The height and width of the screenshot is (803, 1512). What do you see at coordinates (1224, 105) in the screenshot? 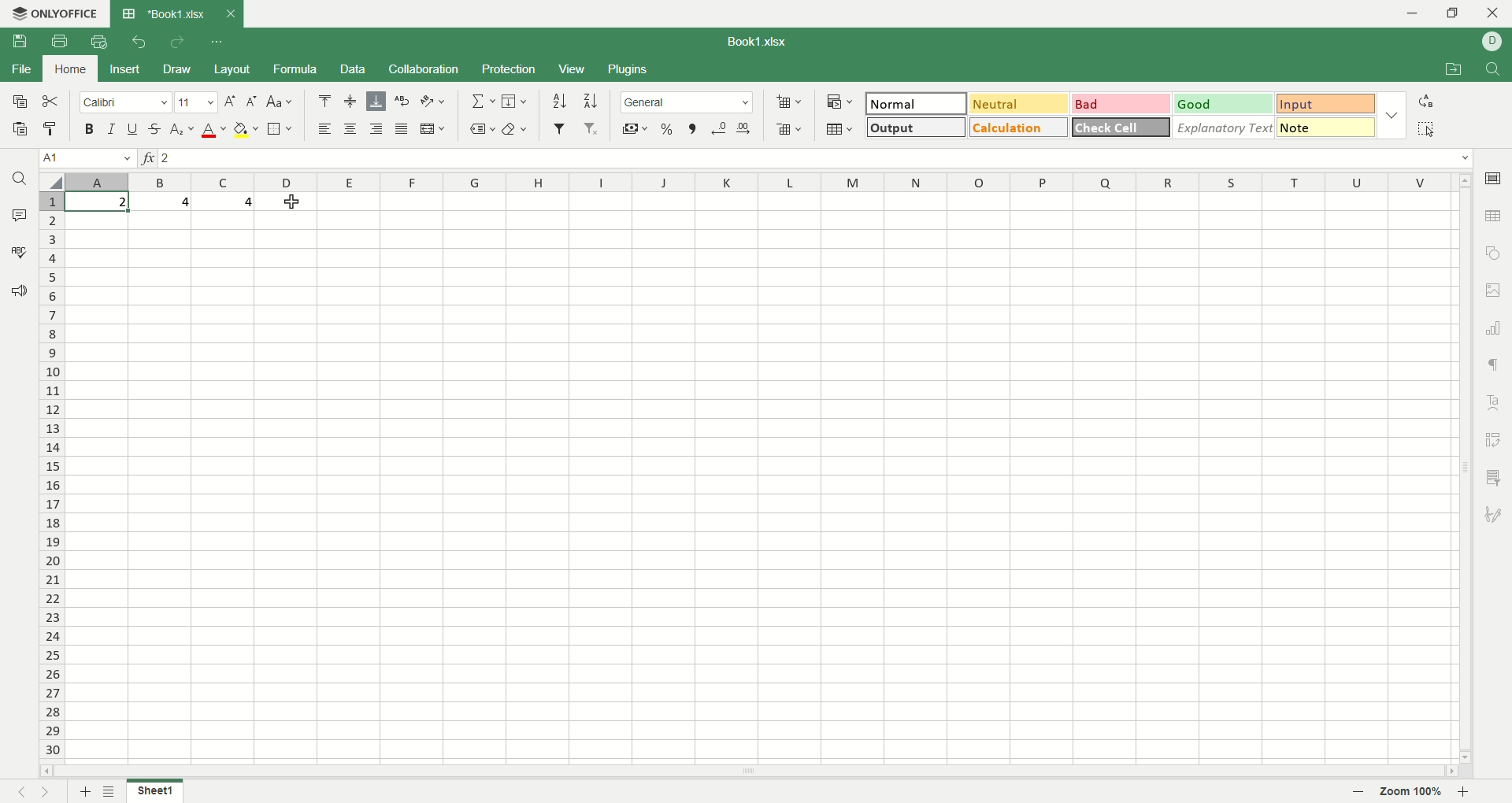
I see `good` at bounding box center [1224, 105].